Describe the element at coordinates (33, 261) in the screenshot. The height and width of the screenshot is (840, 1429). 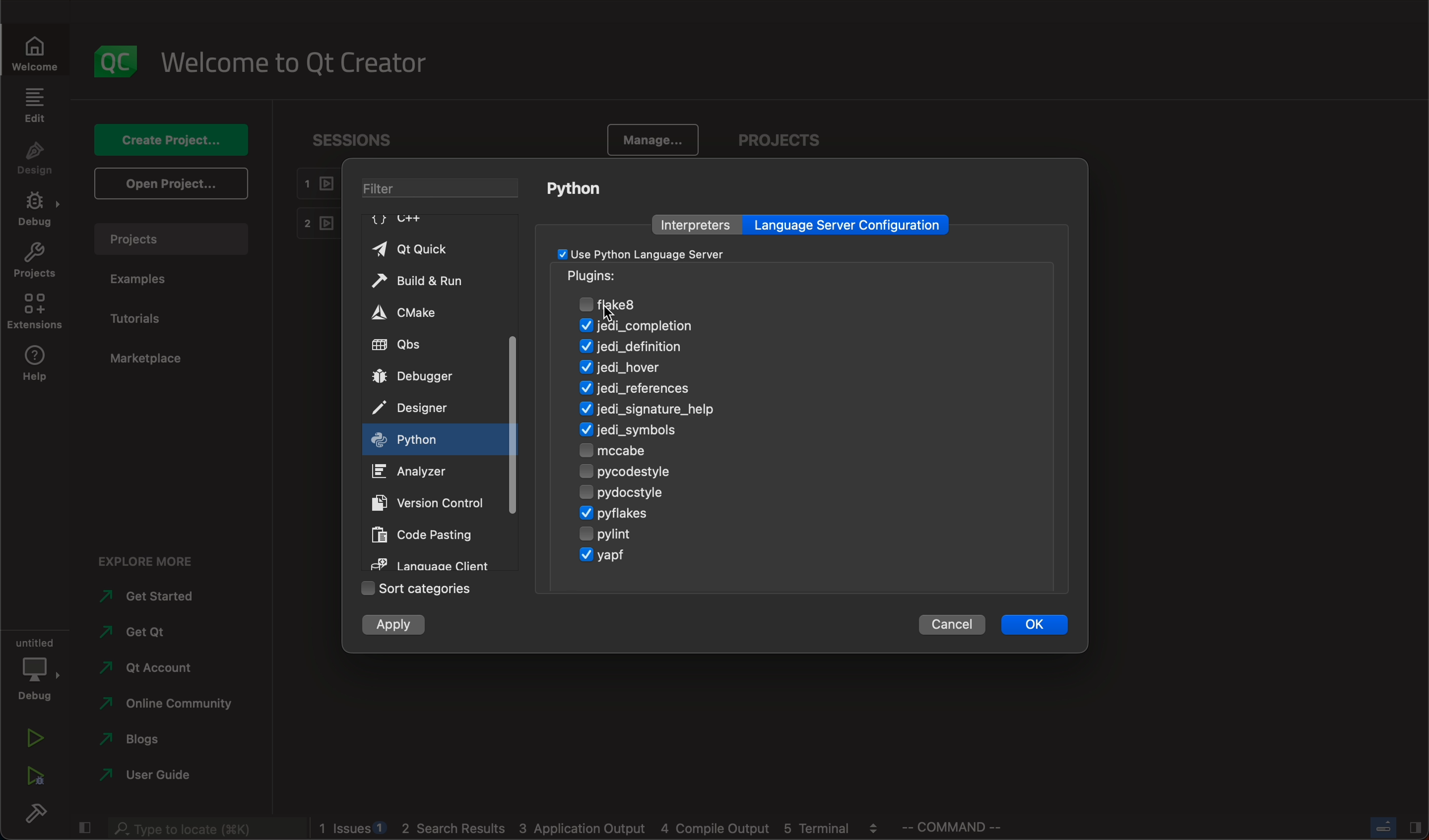
I see `projects` at that location.